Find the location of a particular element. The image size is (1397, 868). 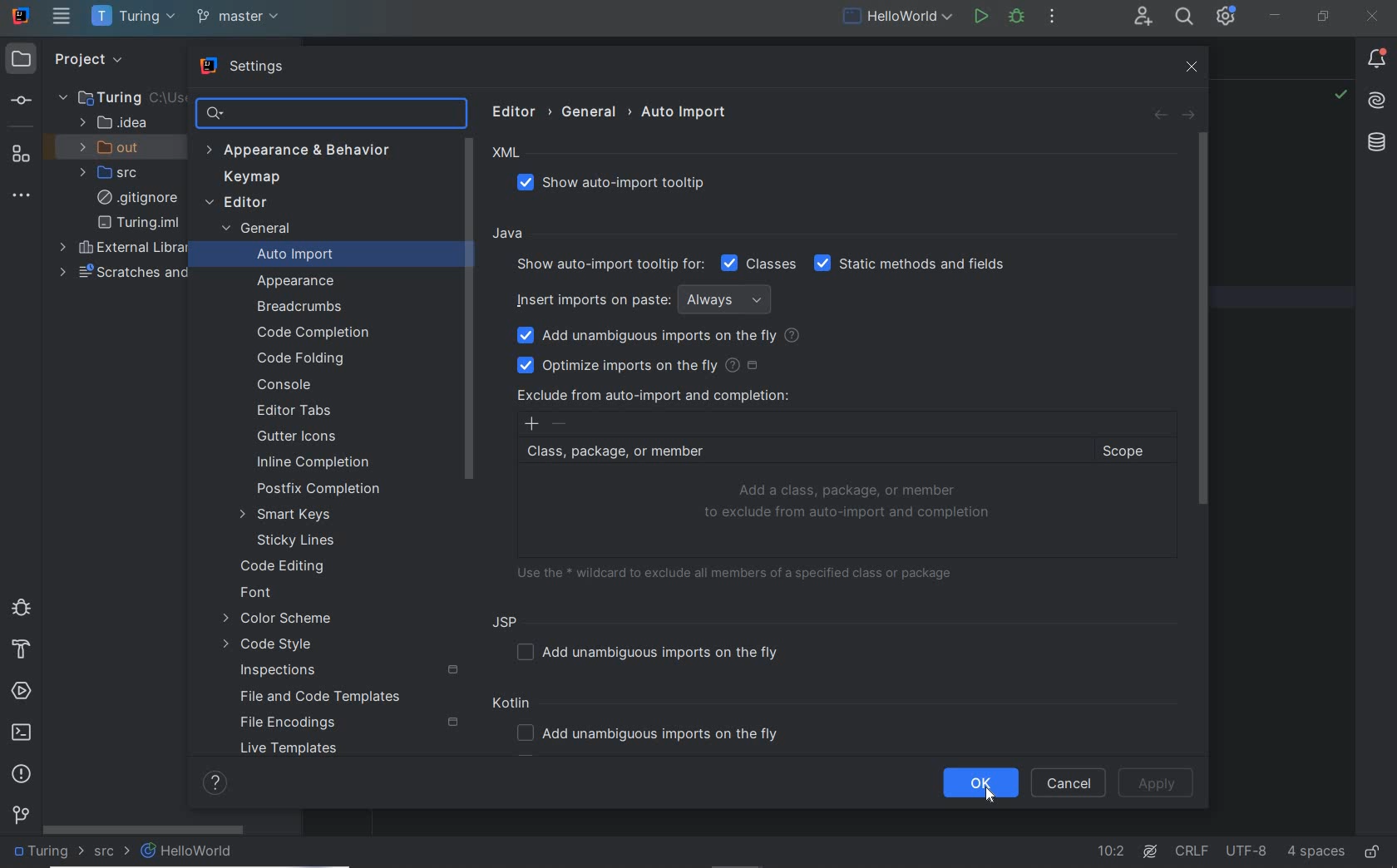

ADD UNAMBIGUOUS IMPORTS ON THE FLY (checked) is located at coordinates (660, 336).